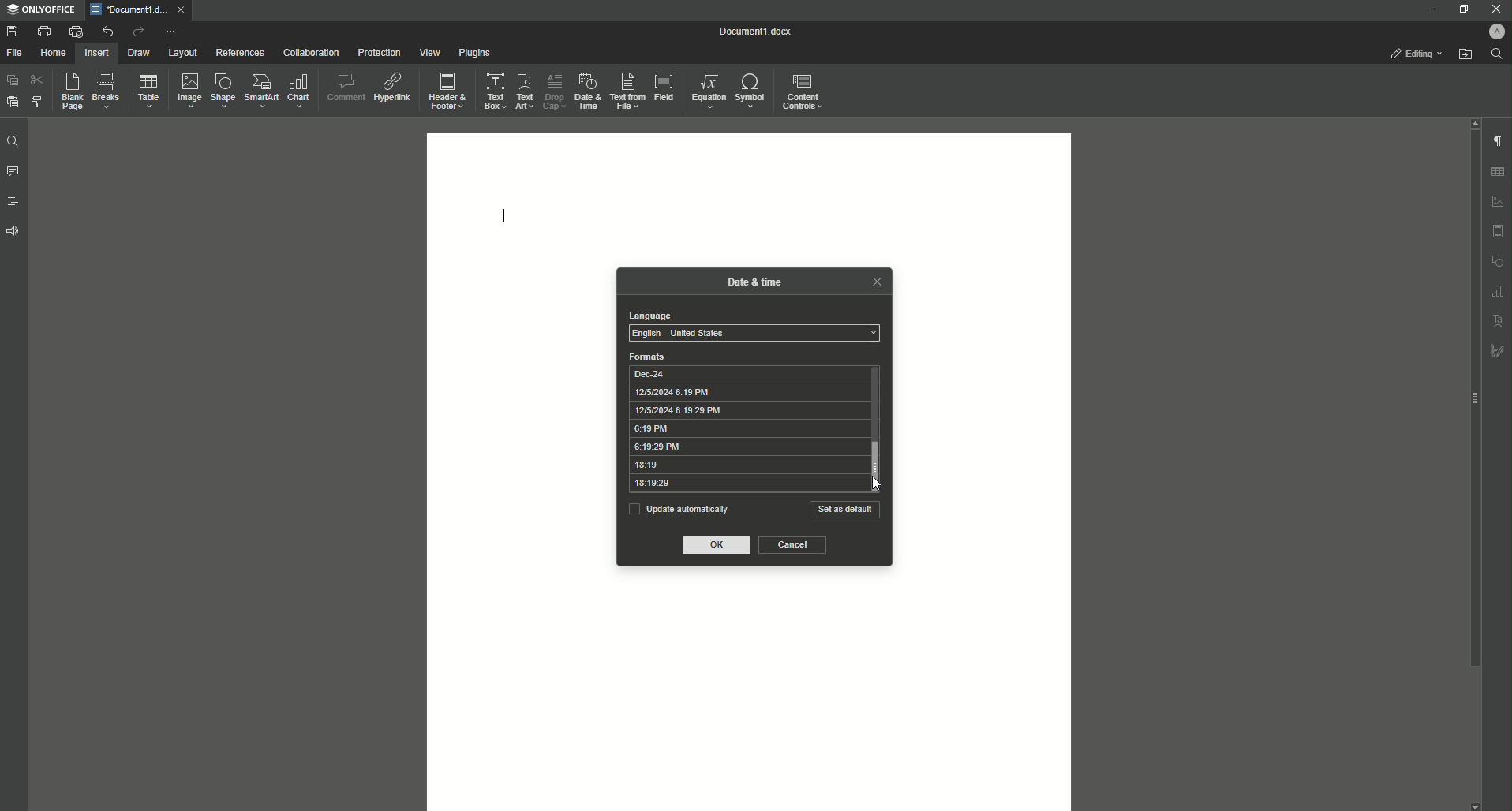 Image resolution: width=1512 pixels, height=811 pixels. I want to click on scroll down, so click(1475, 806).